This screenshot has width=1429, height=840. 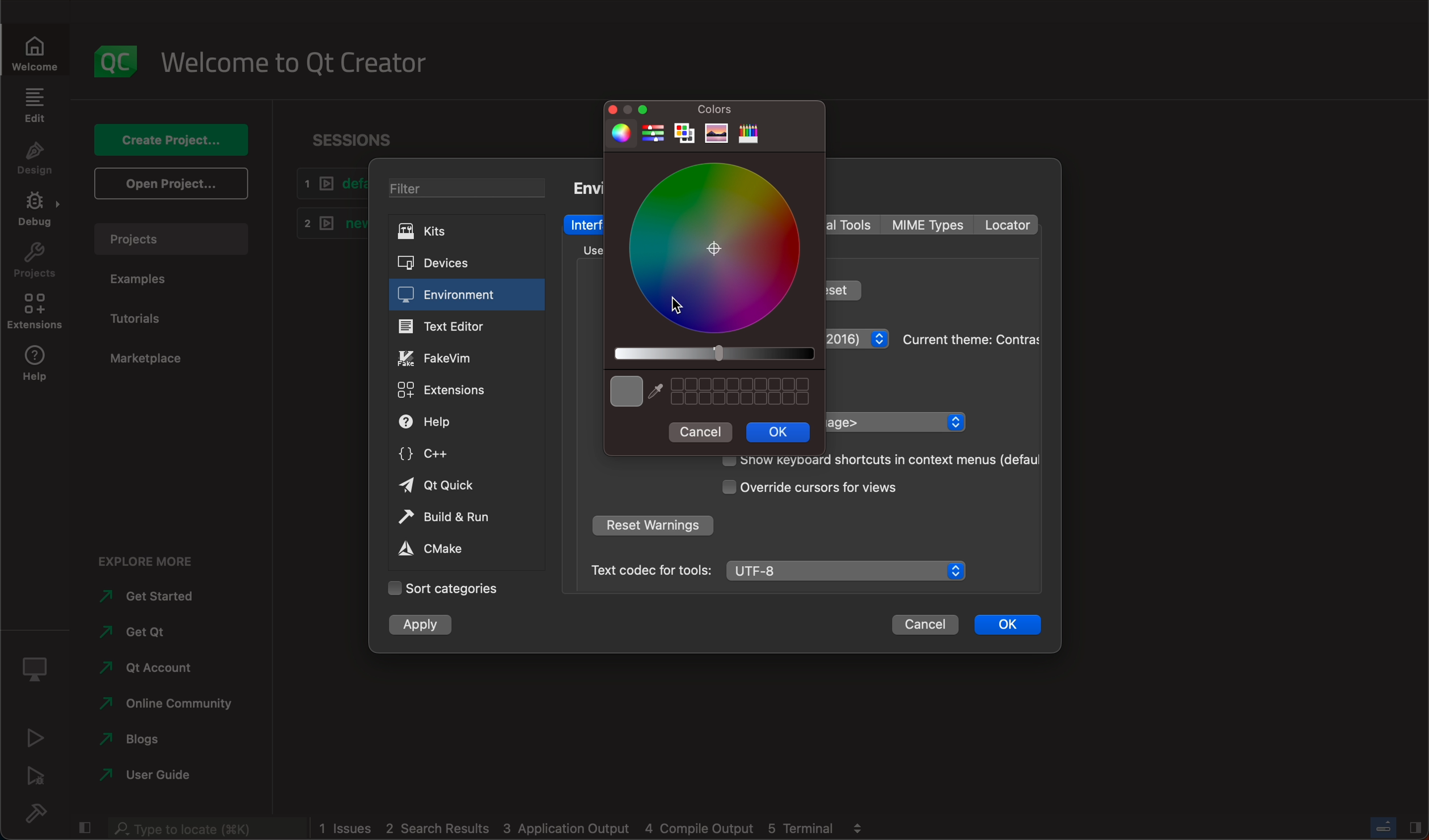 What do you see at coordinates (467, 325) in the screenshot?
I see `text editor` at bounding box center [467, 325].